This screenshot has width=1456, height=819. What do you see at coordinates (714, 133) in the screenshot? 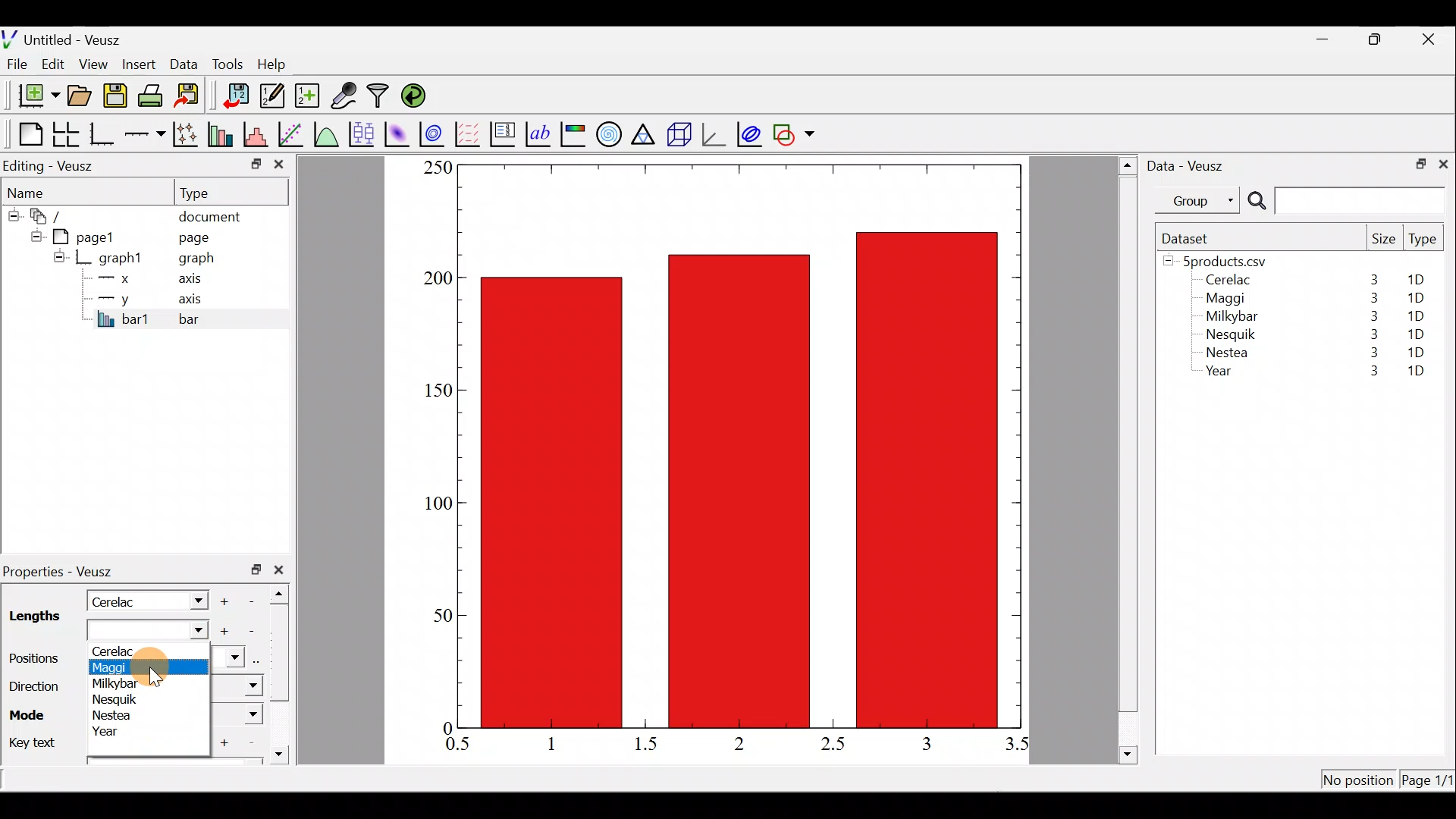
I see `3d graph` at bounding box center [714, 133].